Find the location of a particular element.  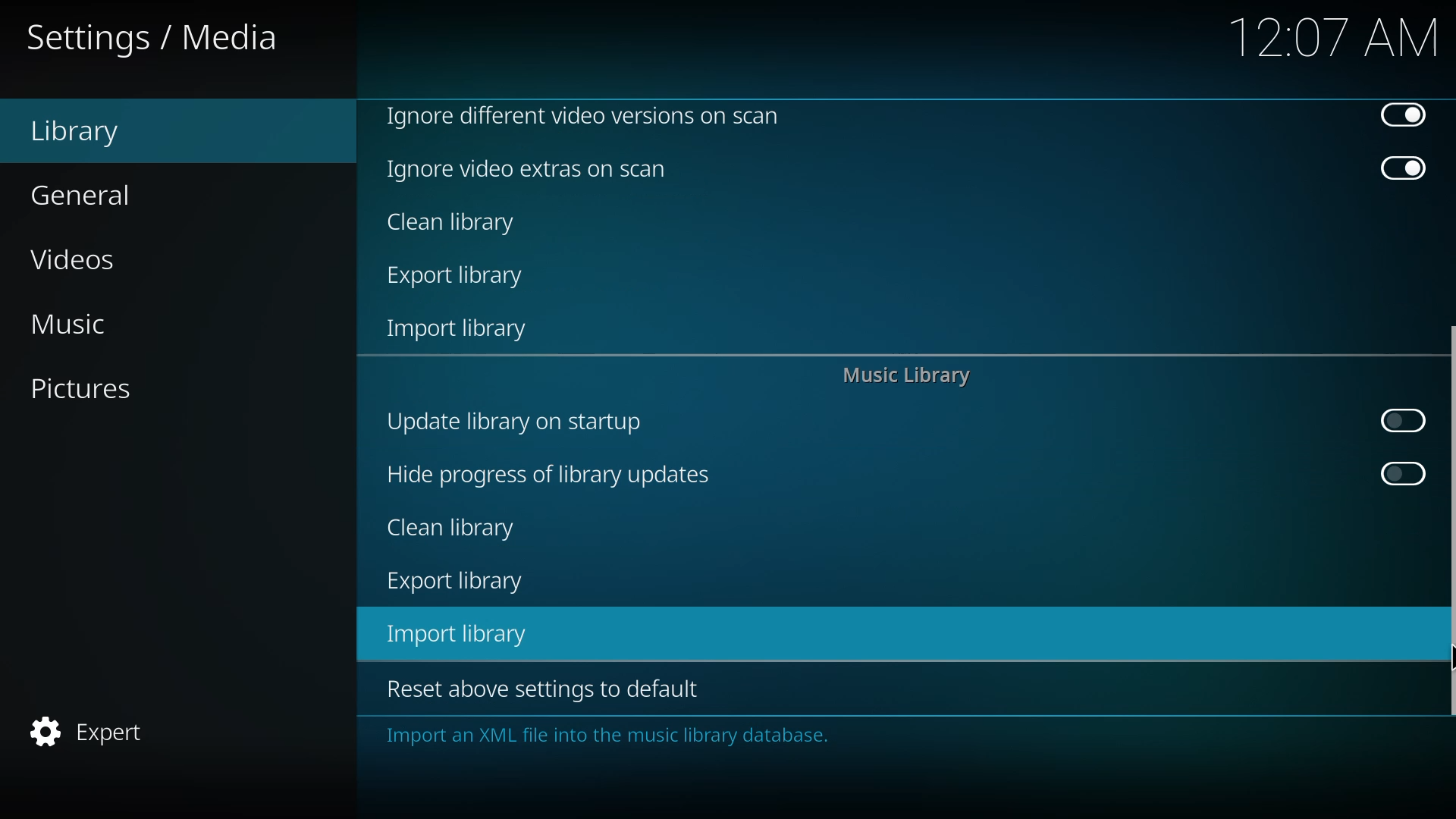

import is located at coordinates (460, 331).